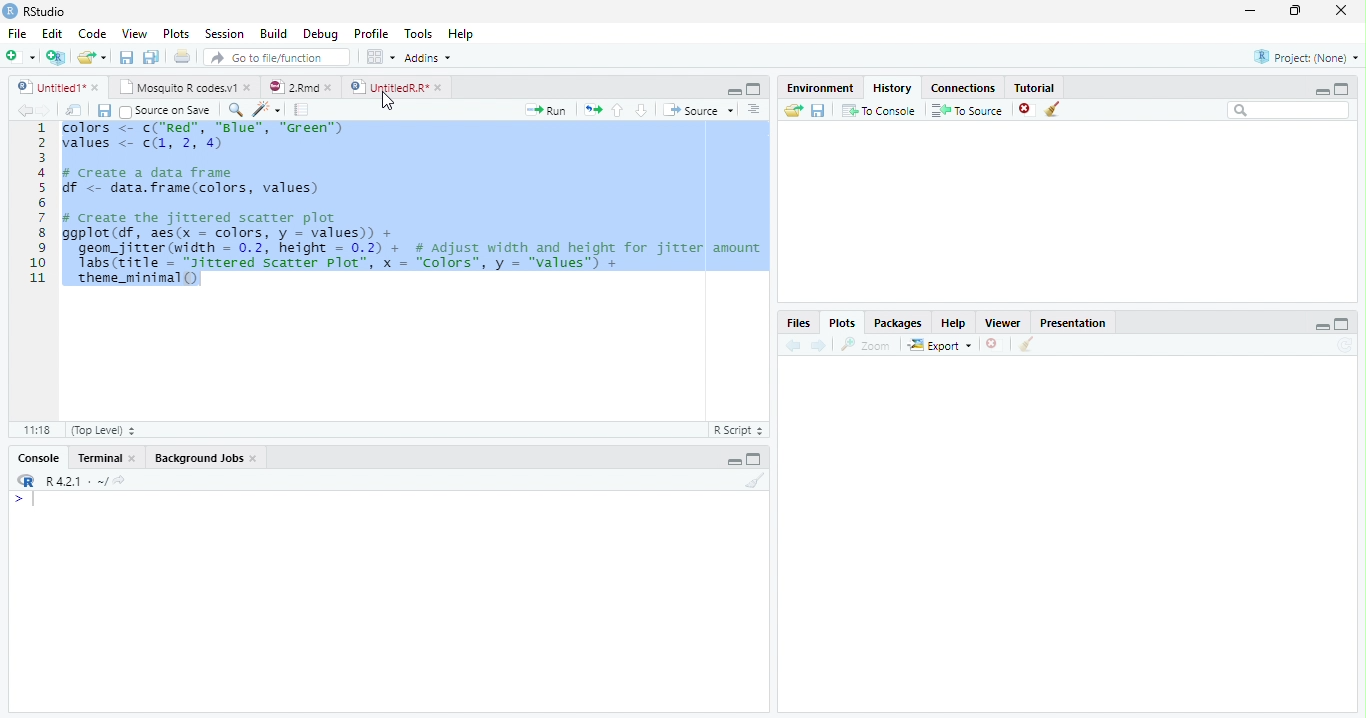  Describe the element at coordinates (818, 110) in the screenshot. I see `Save history into a file` at that location.